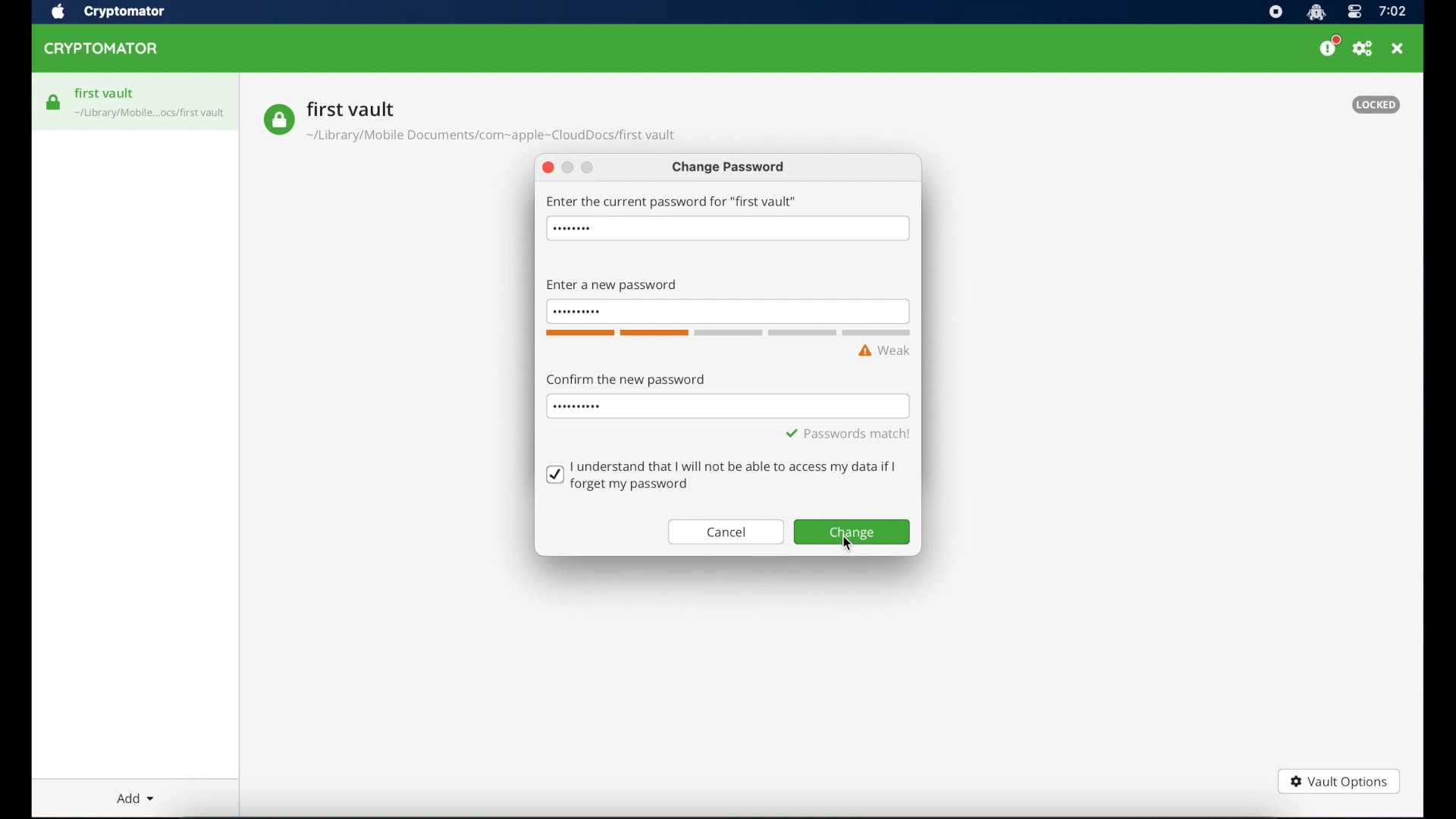 The width and height of the screenshot is (1456, 819). What do you see at coordinates (577, 407) in the screenshot?
I see `invisible password` at bounding box center [577, 407].